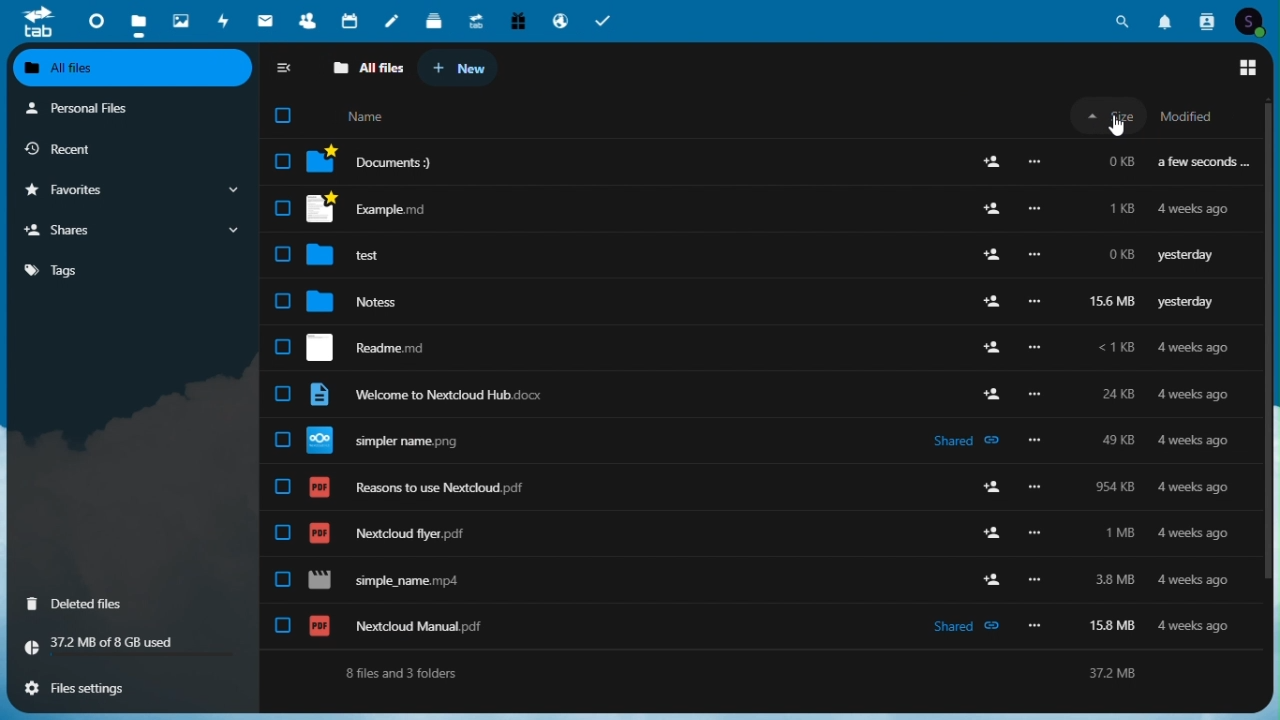  Describe the element at coordinates (121, 146) in the screenshot. I see `recent` at that location.